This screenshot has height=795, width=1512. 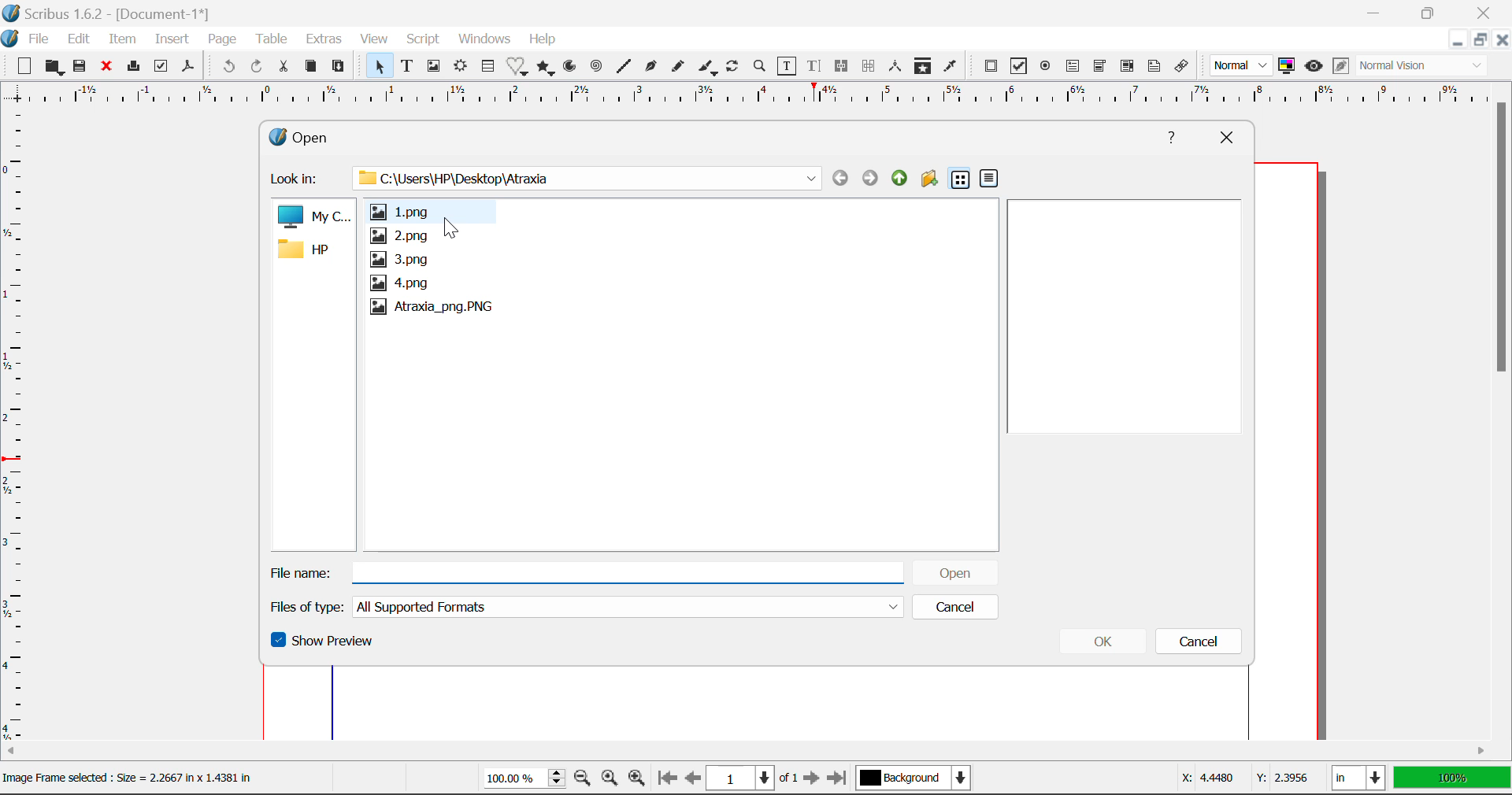 I want to click on : All Supported Formats , so click(x=629, y=607).